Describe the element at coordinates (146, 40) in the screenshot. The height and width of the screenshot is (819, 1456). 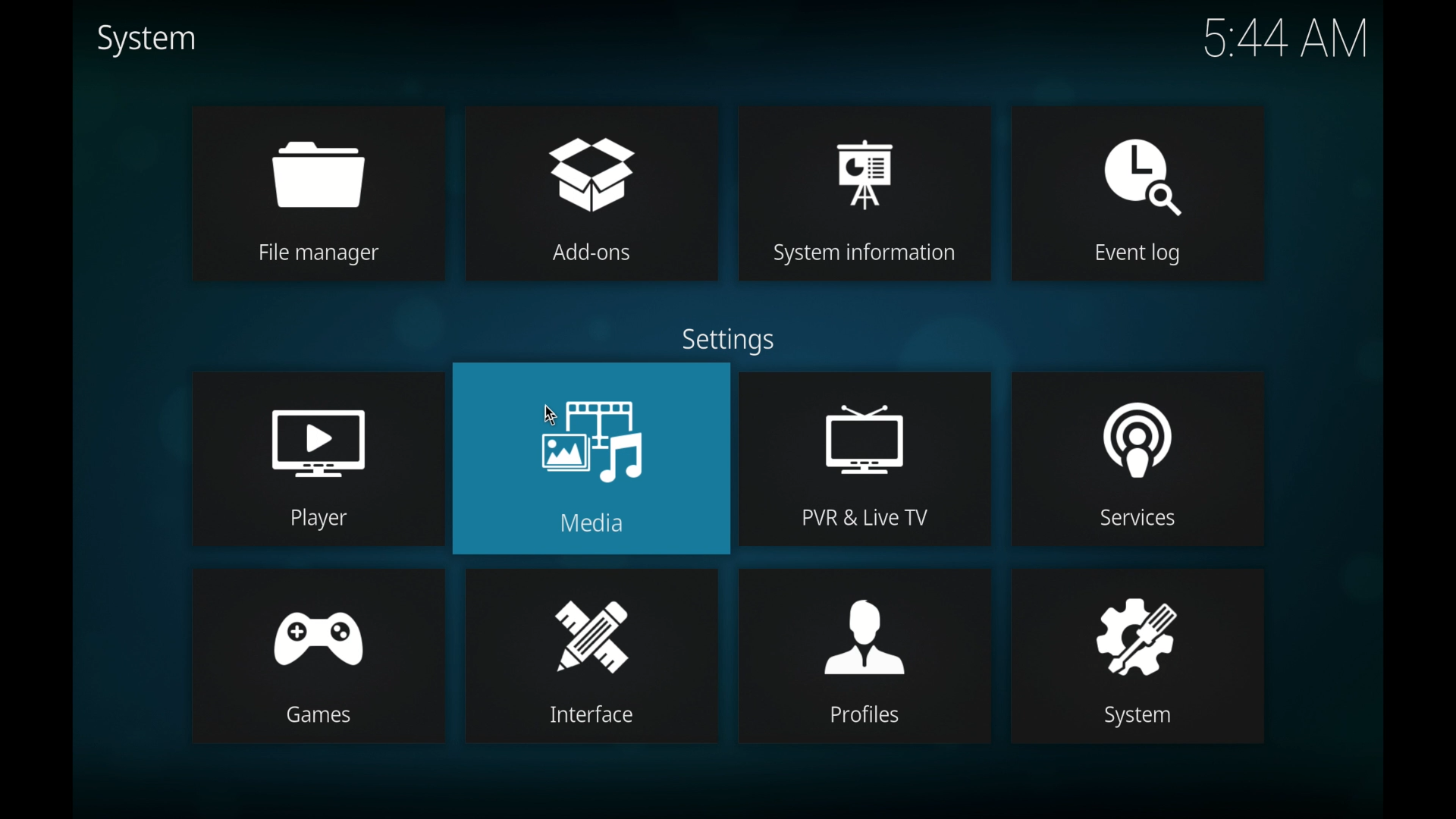
I see `system` at that location.